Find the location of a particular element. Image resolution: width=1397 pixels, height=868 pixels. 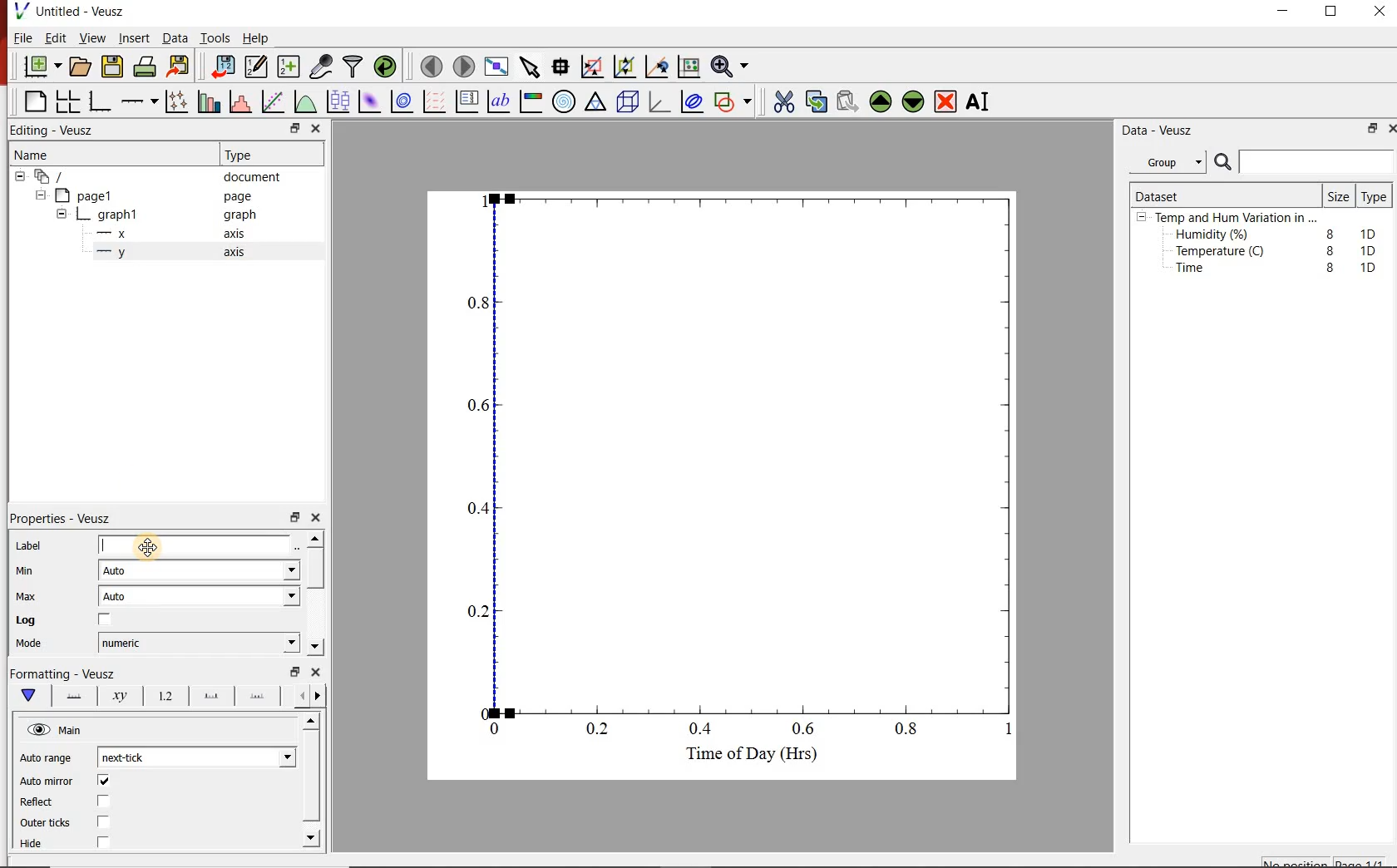

1D is located at coordinates (1373, 250).